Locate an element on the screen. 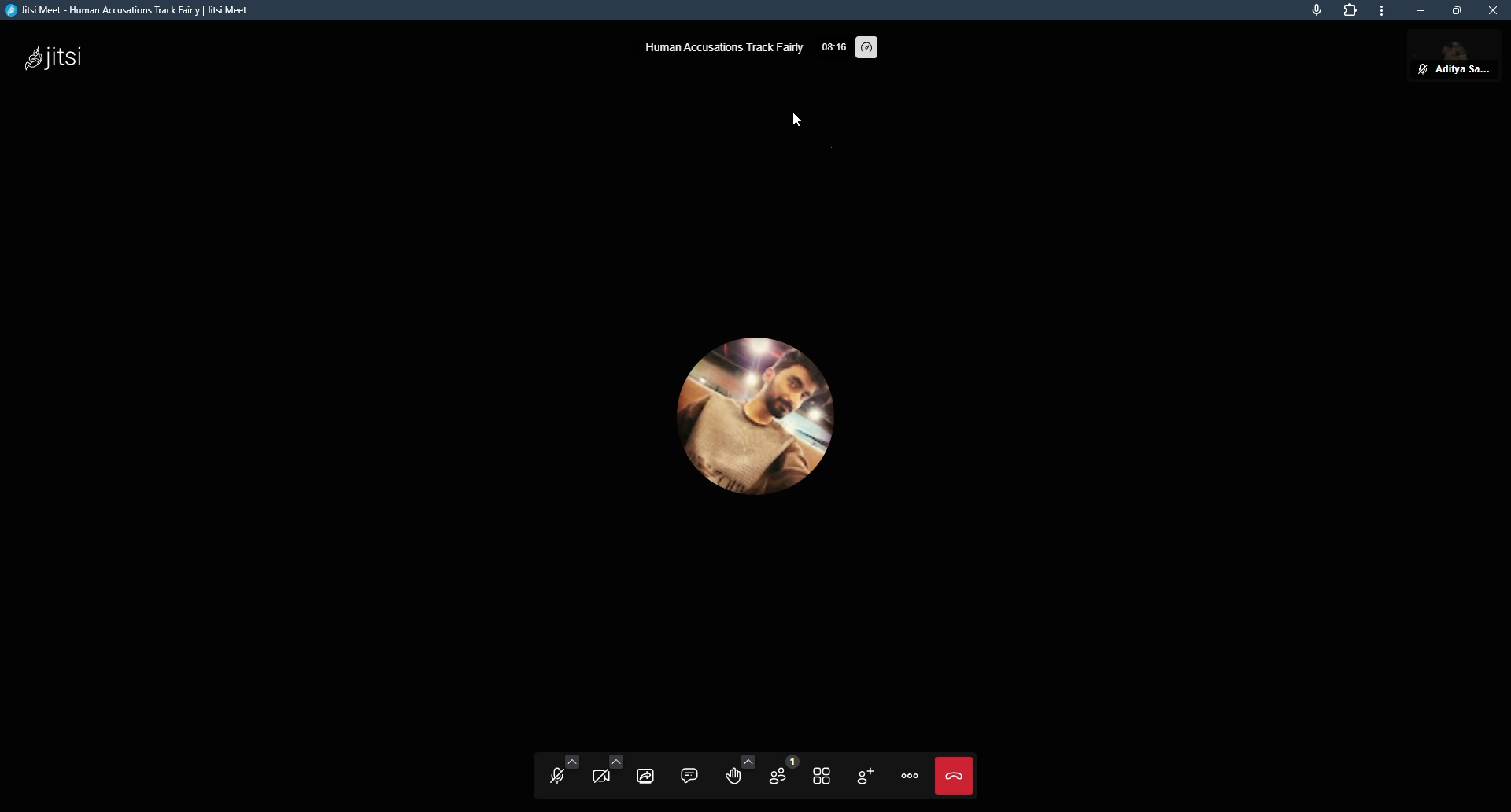 The height and width of the screenshot is (812, 1511). minimize is located at coordinates (1420, 10).